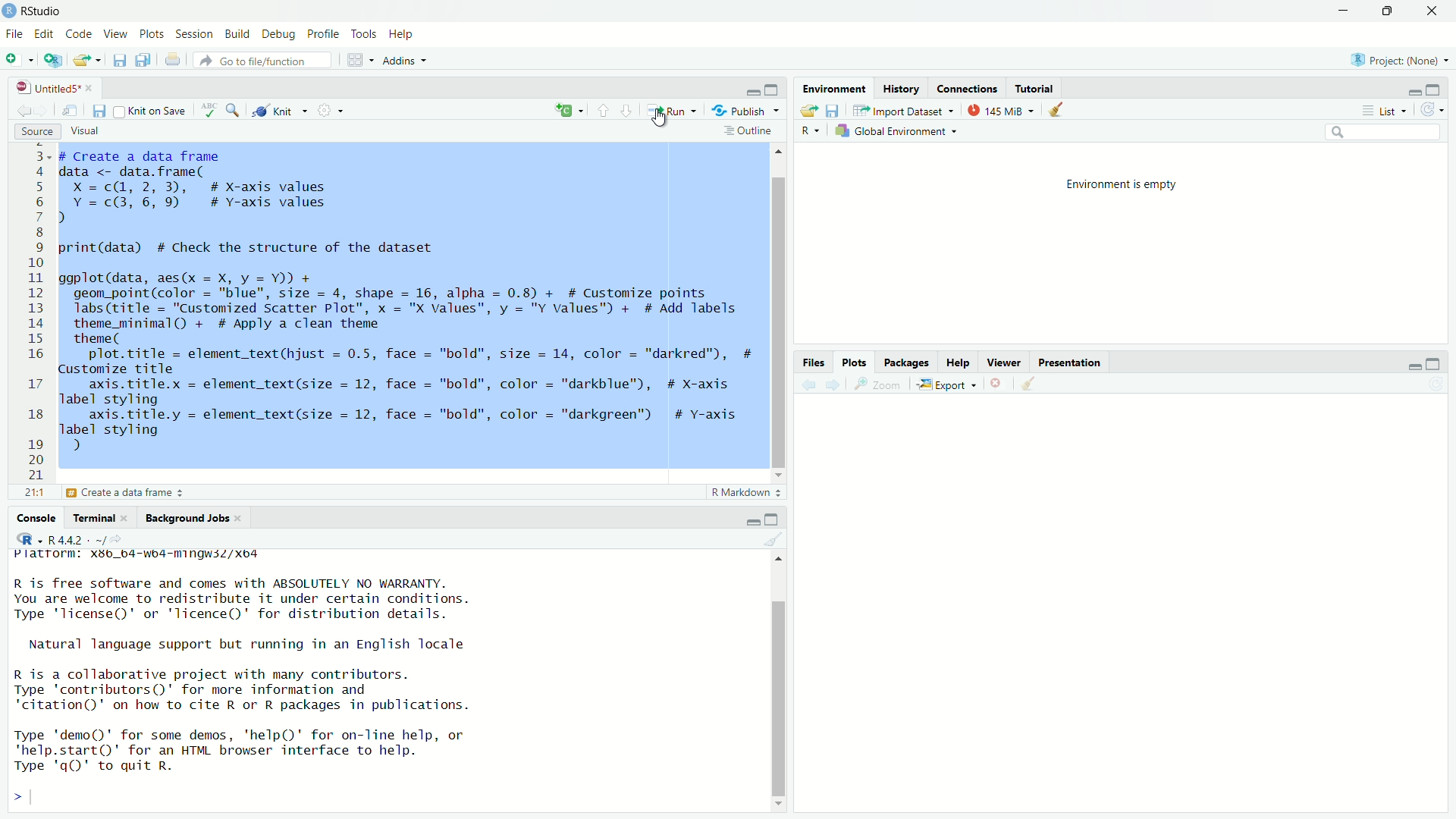  What do you see at coordinates (773, 538) in the screenshot?
I see `Clear console` at bounding box center [773, 538].